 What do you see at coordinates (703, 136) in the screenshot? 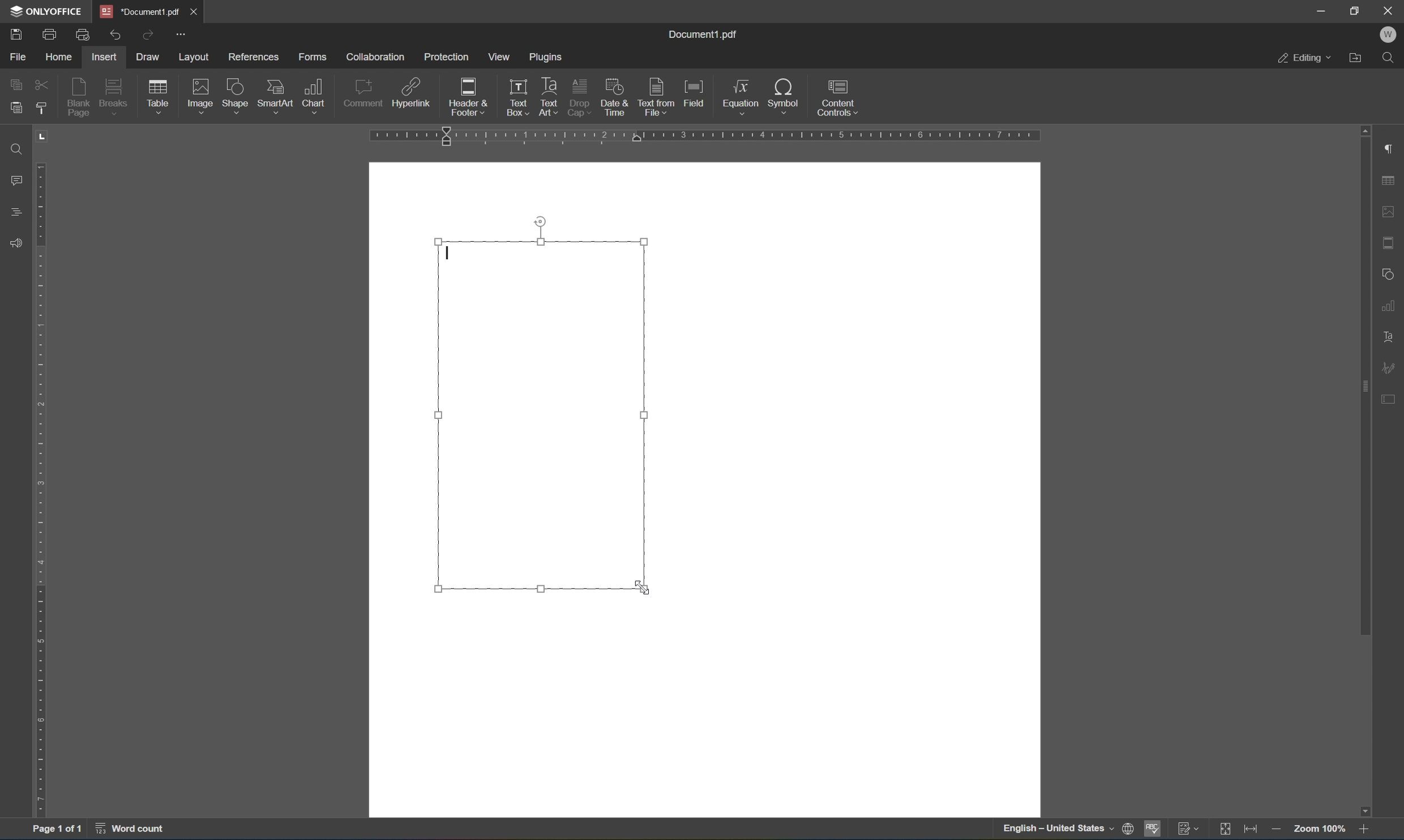
I see `ruler` at bounding box center [703, 136].